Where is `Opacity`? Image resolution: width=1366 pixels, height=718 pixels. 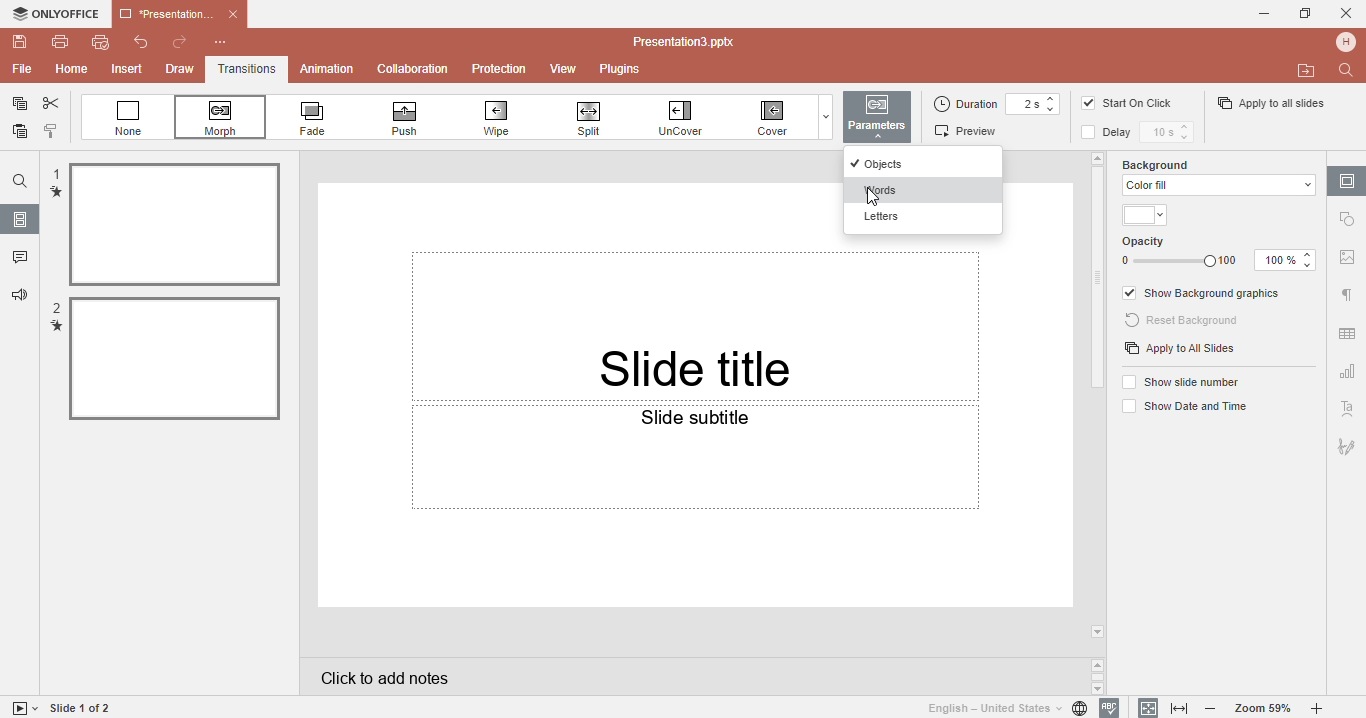
Opacity is located at coordinates (1220, 253).